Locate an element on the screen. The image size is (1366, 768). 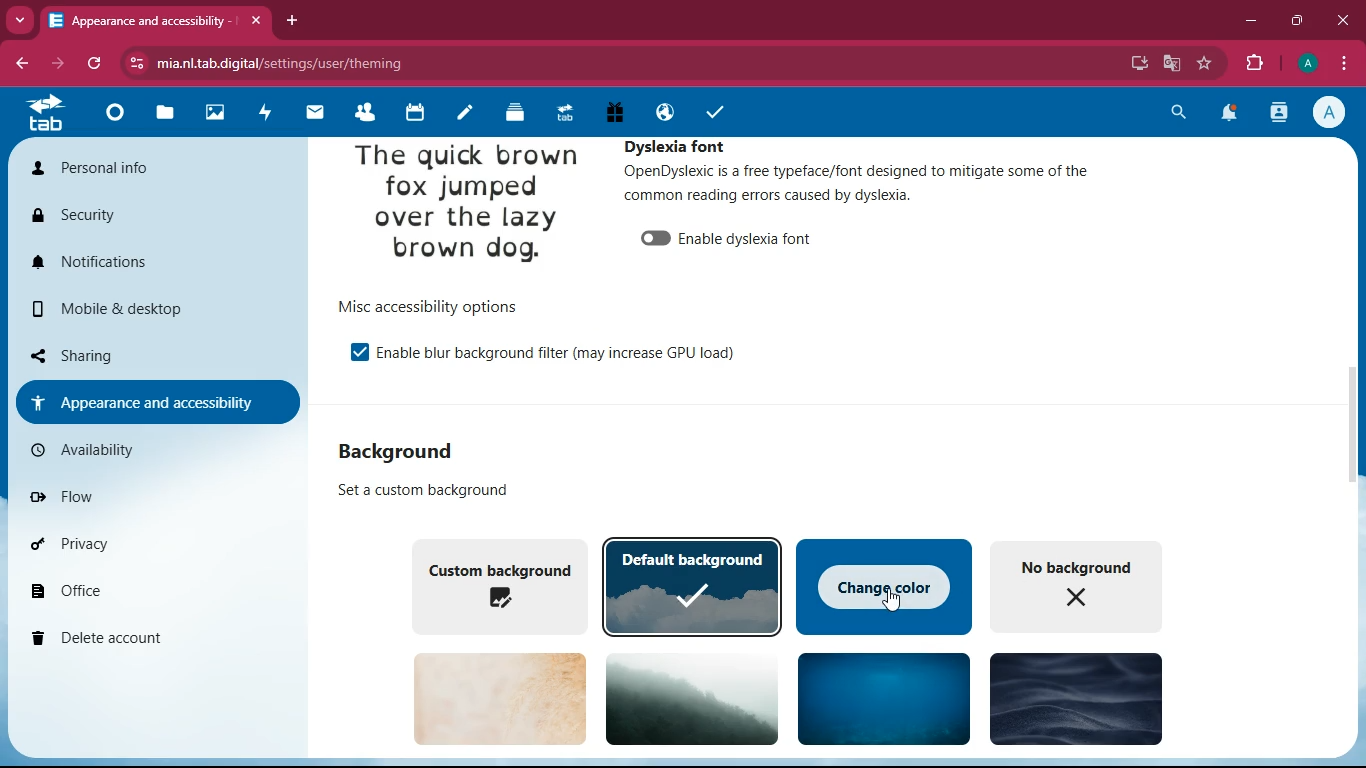
profile is located at coordinates (1333, 112).